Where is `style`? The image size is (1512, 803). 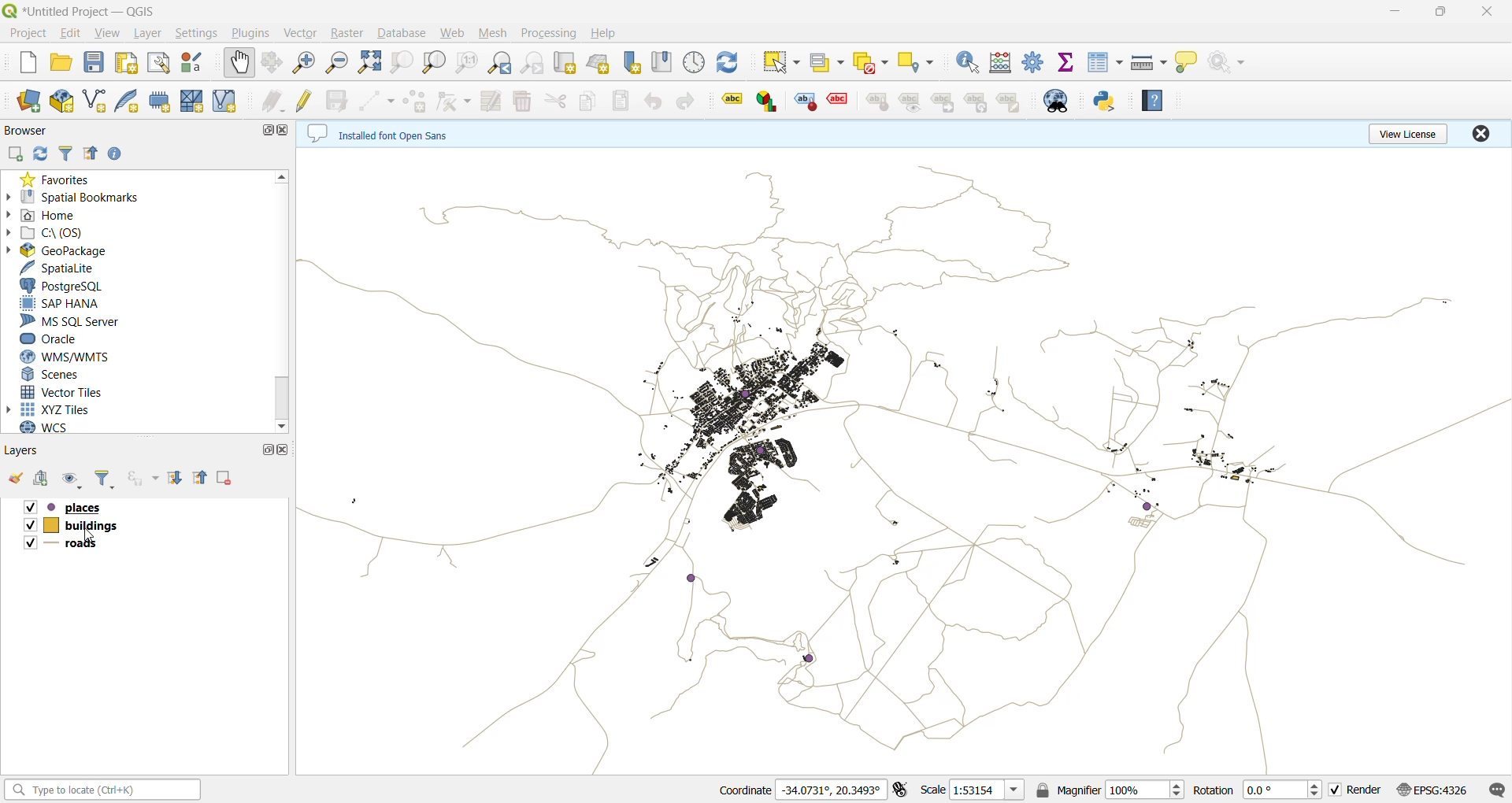 style is located at coordinates (876, 101).